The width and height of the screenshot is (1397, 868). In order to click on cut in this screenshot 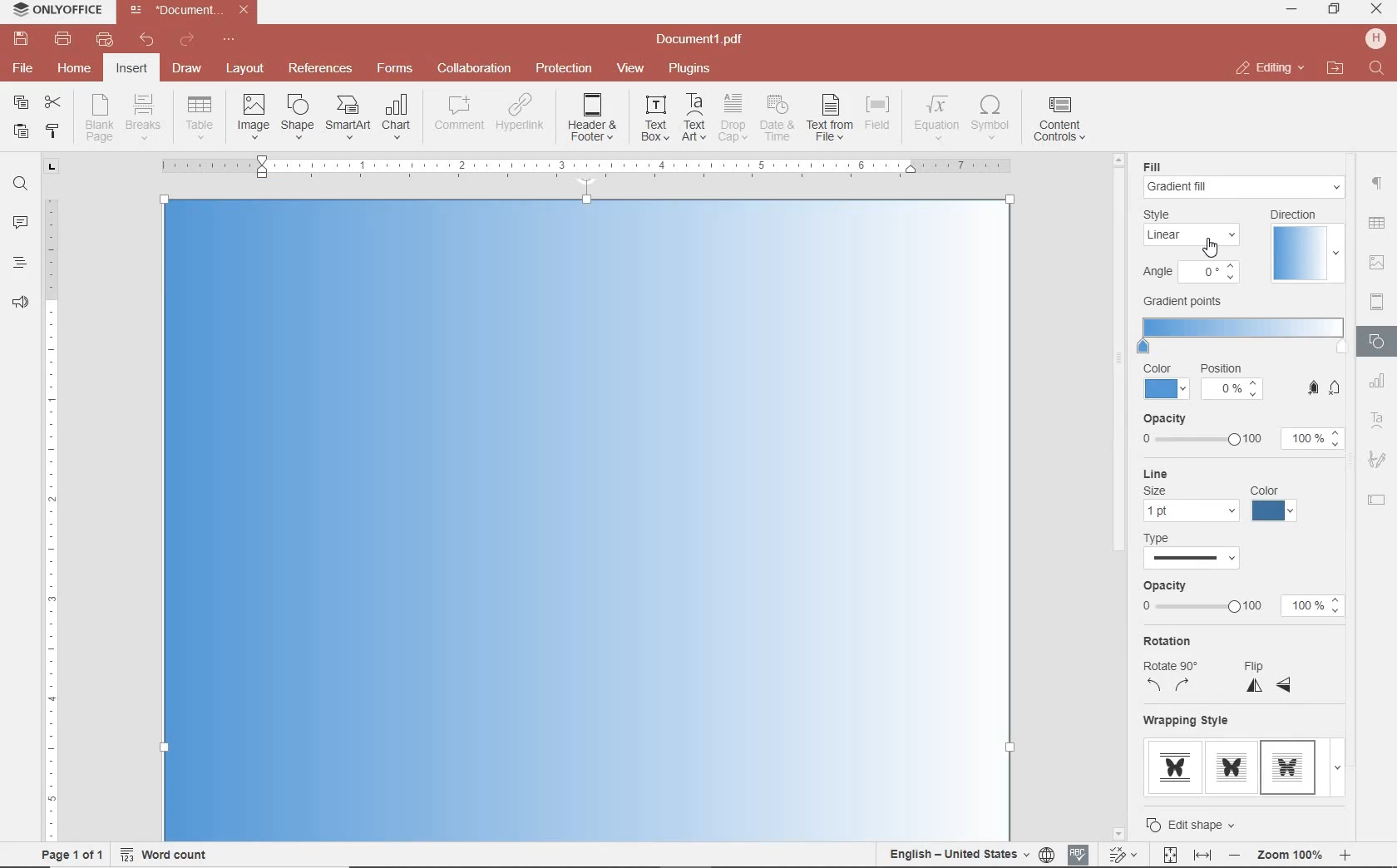, I will do `click(52, 104)`.